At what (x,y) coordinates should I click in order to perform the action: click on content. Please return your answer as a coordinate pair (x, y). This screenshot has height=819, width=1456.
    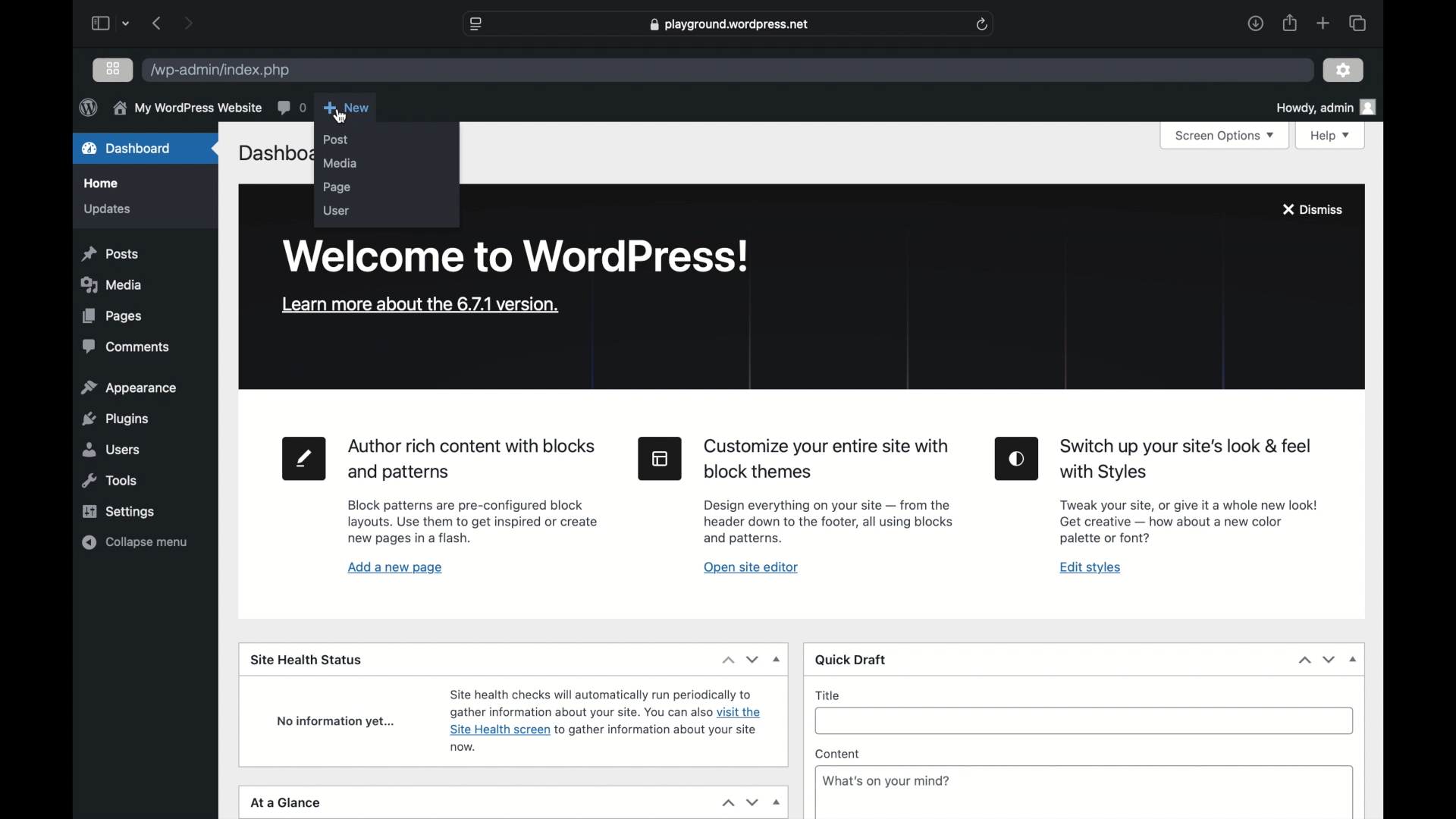
    Looking at the image, I should click on (838, 753).